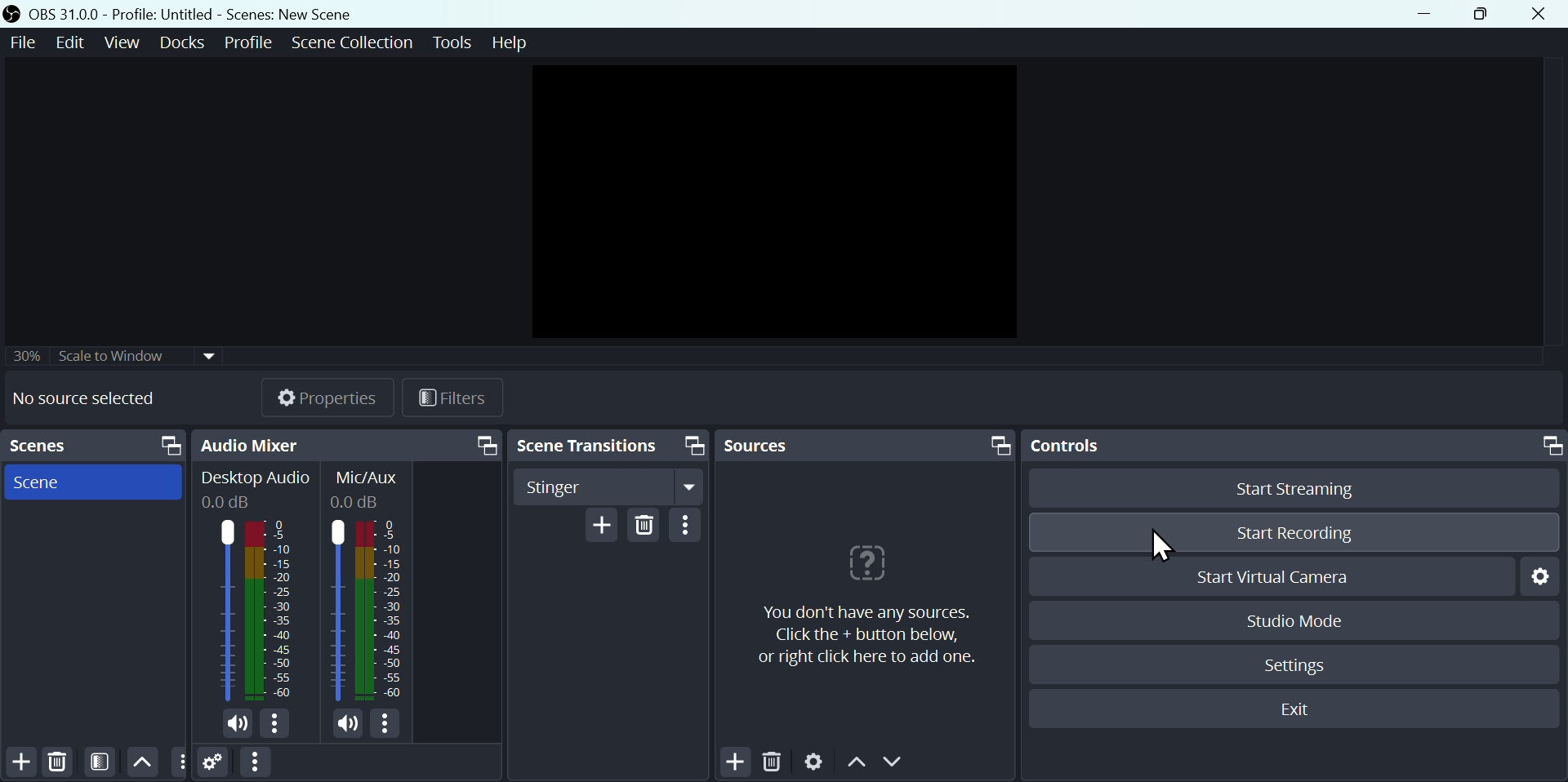 This screenshot has height=782, width=1568. What do you see at coordinates (769, 445) in the screenshot?
I see `Sources` at bounding box center [769, 445].